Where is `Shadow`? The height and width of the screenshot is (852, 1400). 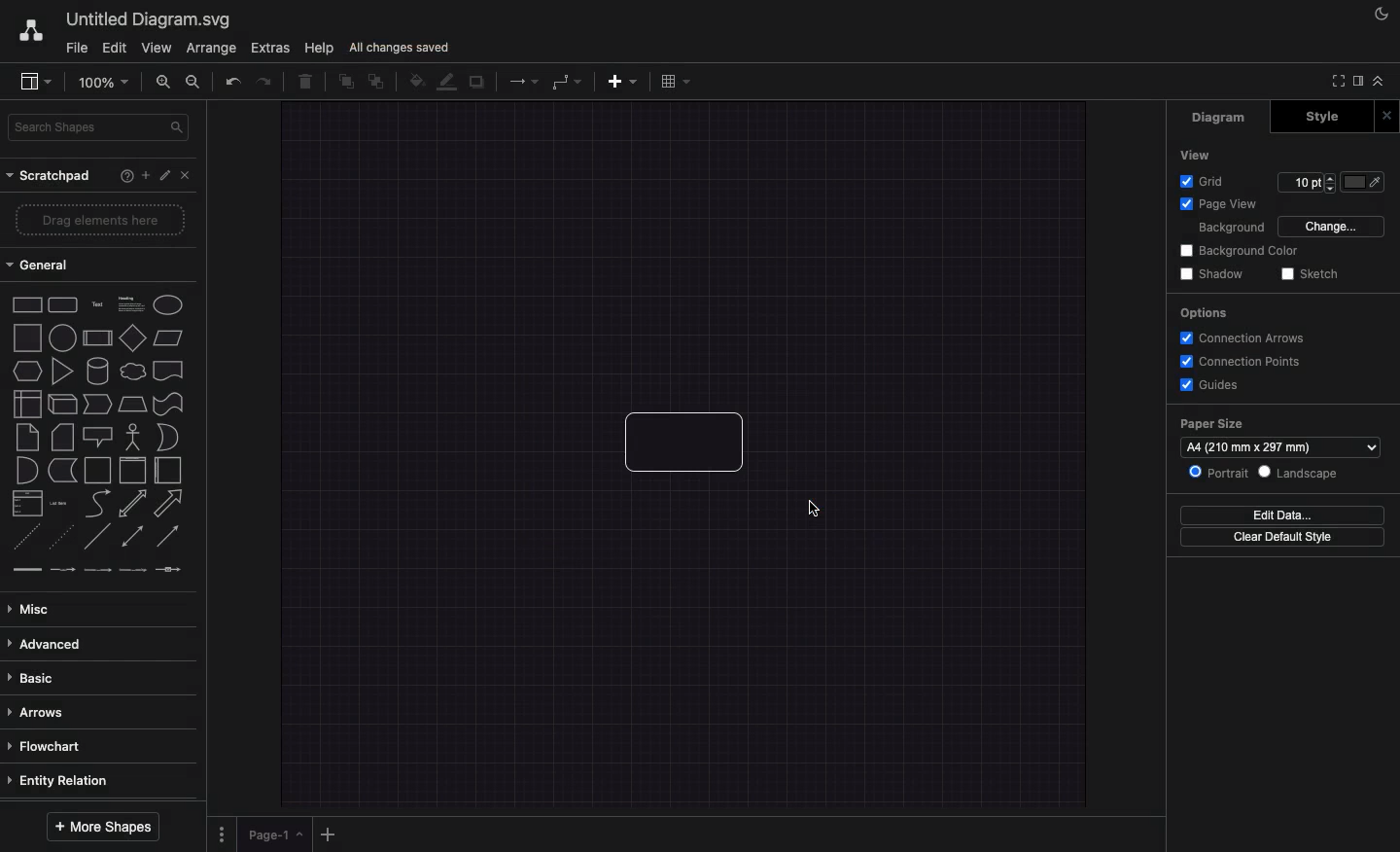
Shadow is located at coordinates (1209, 275).